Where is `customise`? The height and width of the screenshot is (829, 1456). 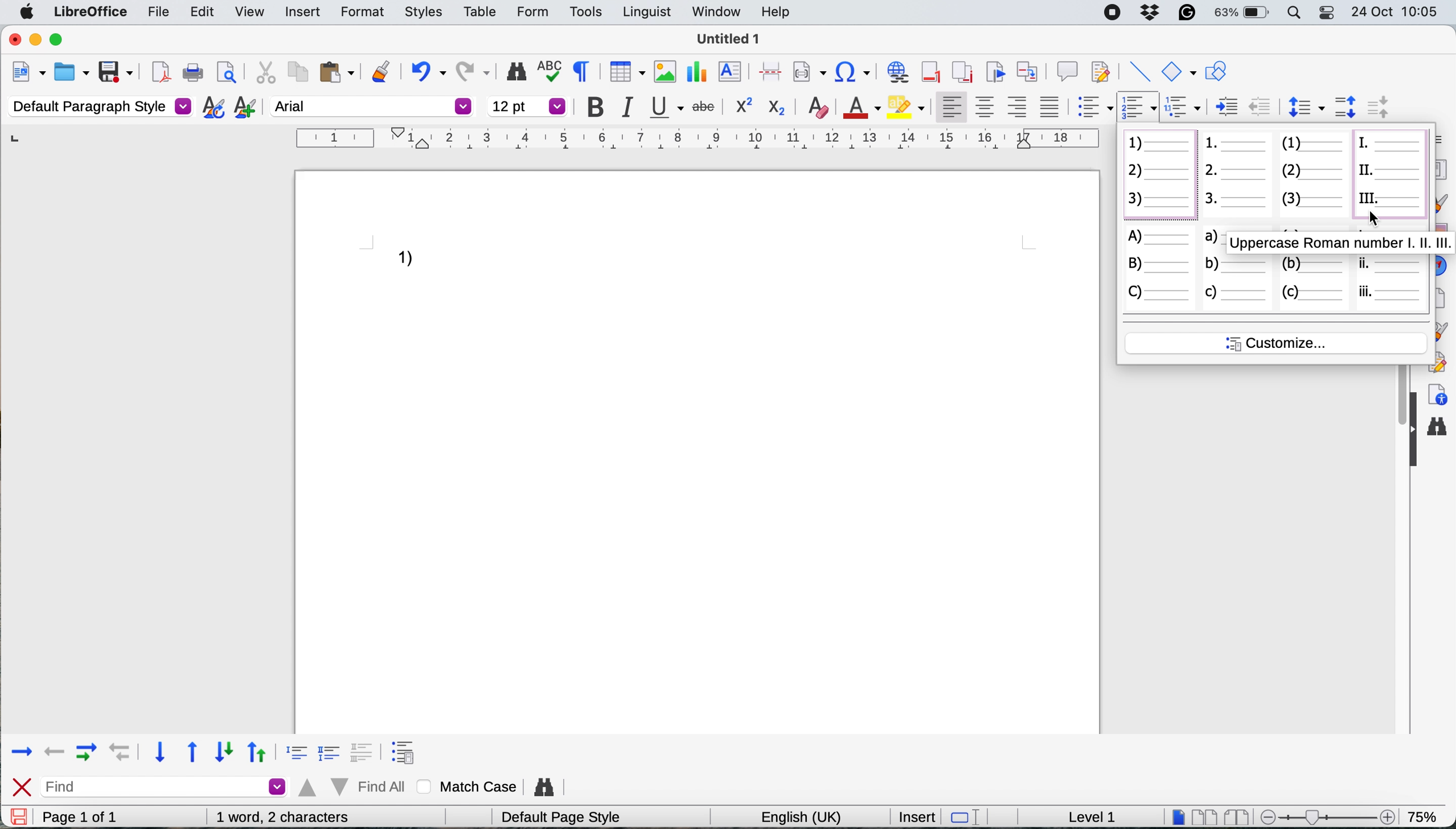 customise is located at coordinates (1278, 343).